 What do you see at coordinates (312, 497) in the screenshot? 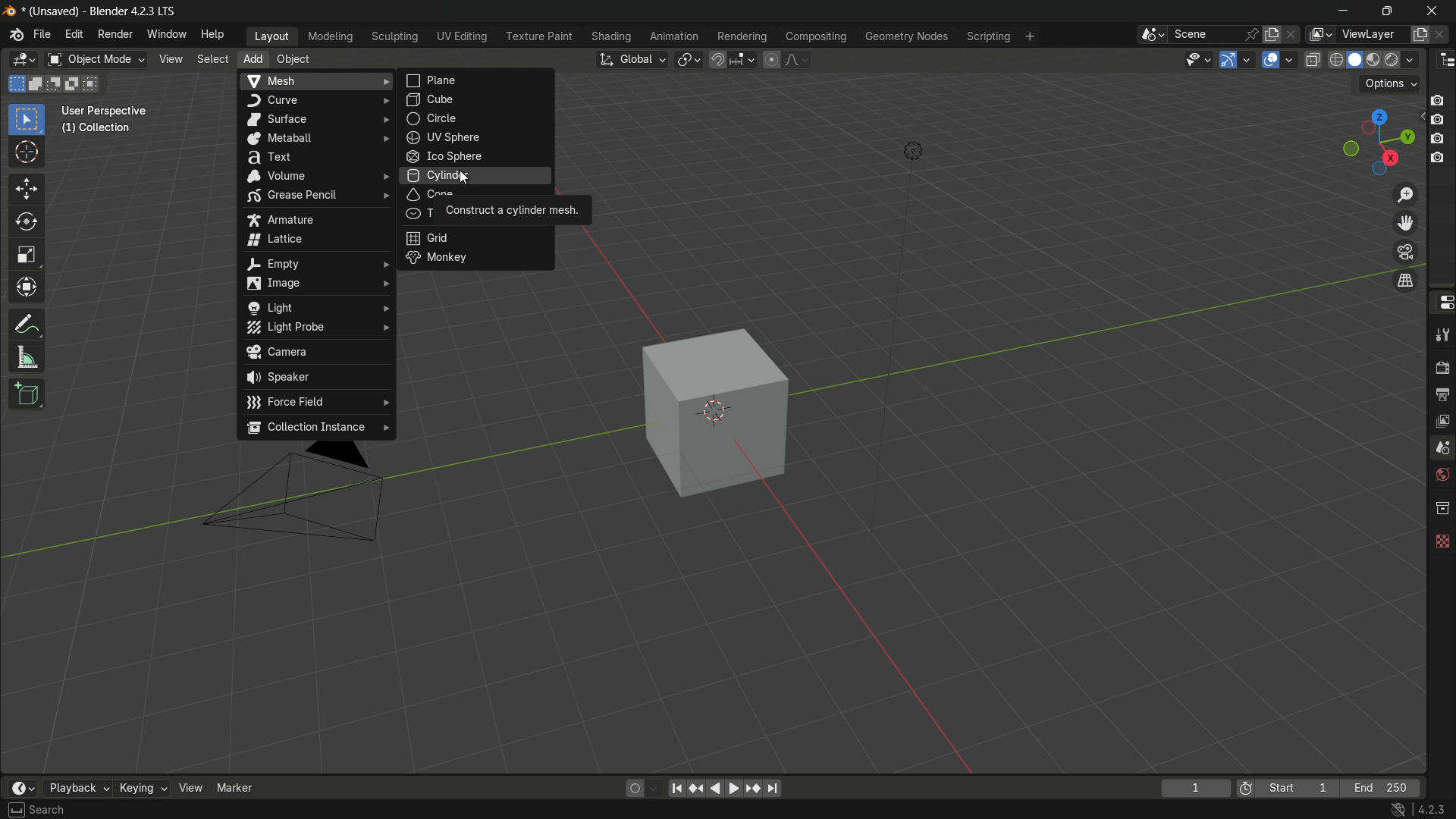
I see `camera` at bounding box center [312, 497].